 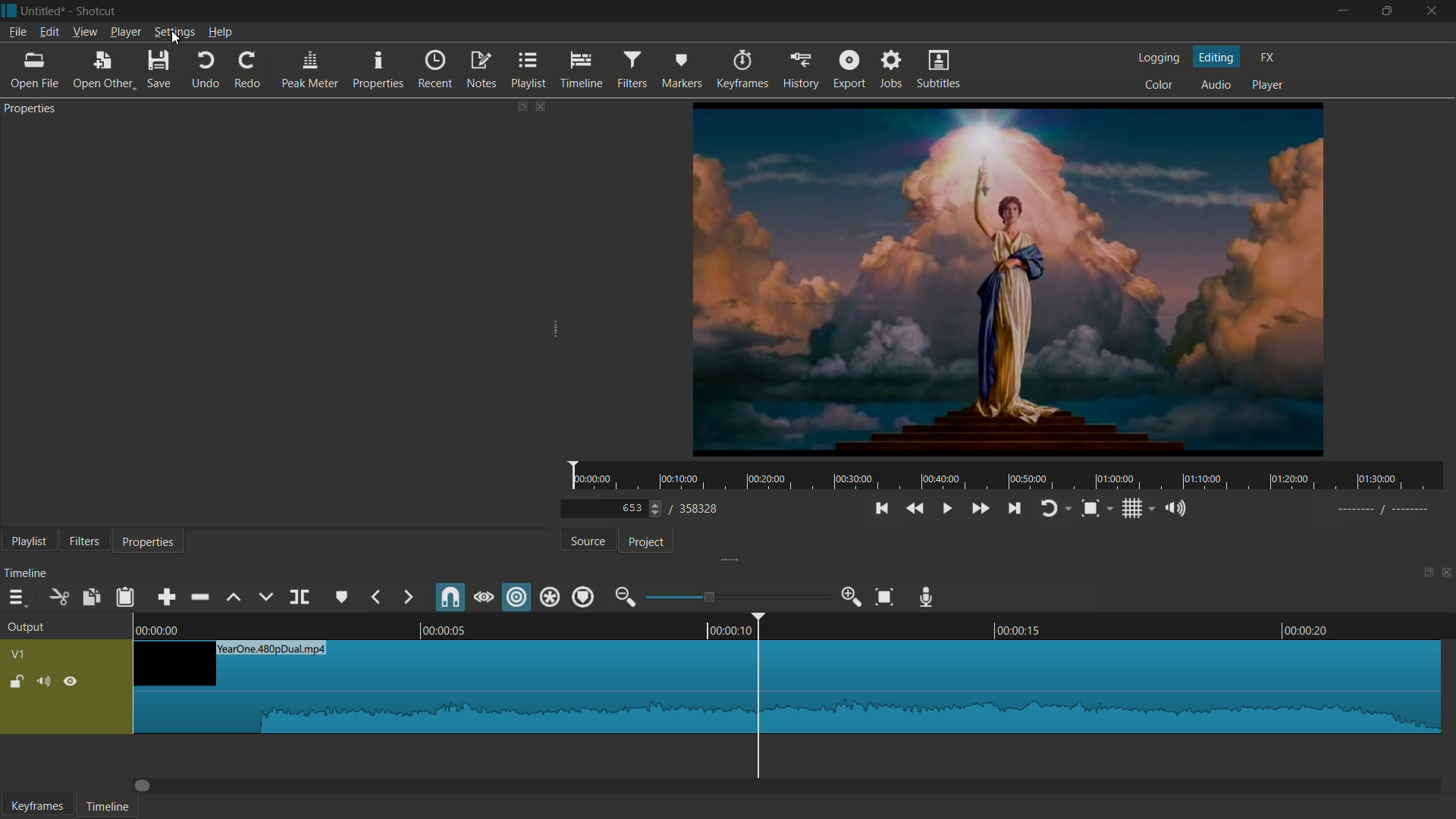 I want to click on 0.00.00, so click(x=157, y=629).